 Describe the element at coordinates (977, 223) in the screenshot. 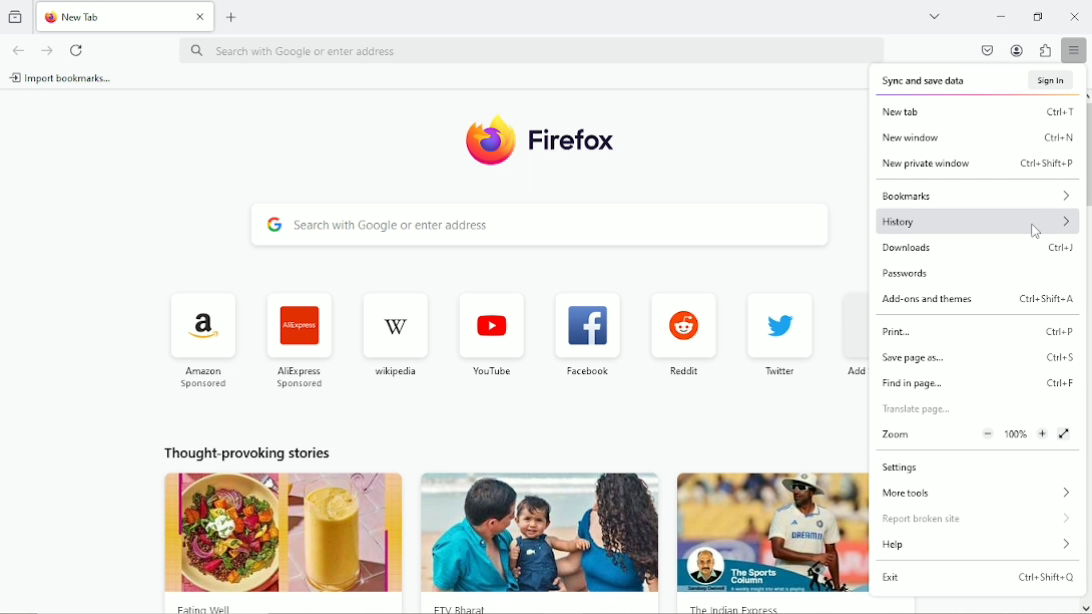

I see `history` at that location.